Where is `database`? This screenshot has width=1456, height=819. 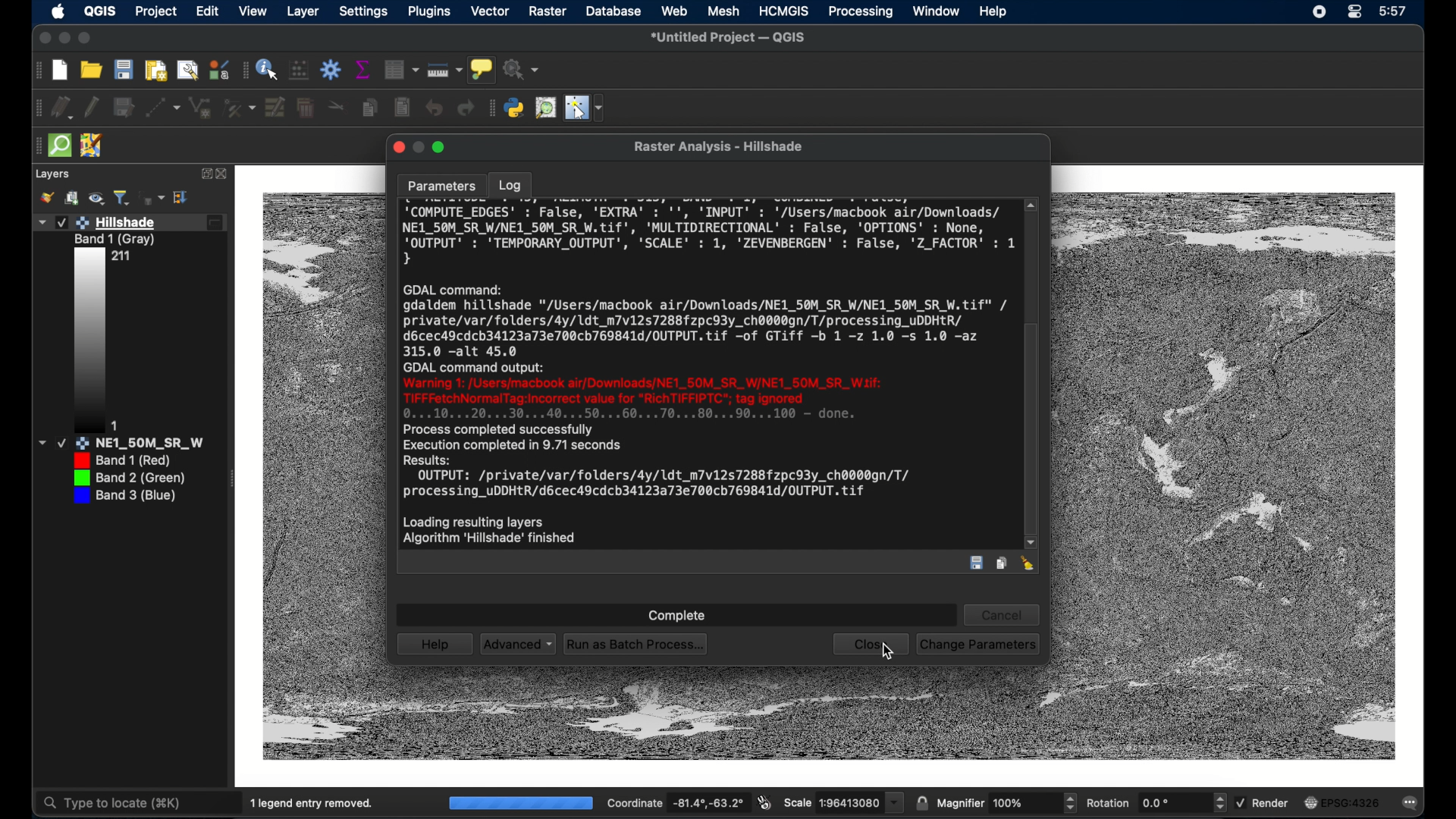
database is located at coordinates (612, 11).